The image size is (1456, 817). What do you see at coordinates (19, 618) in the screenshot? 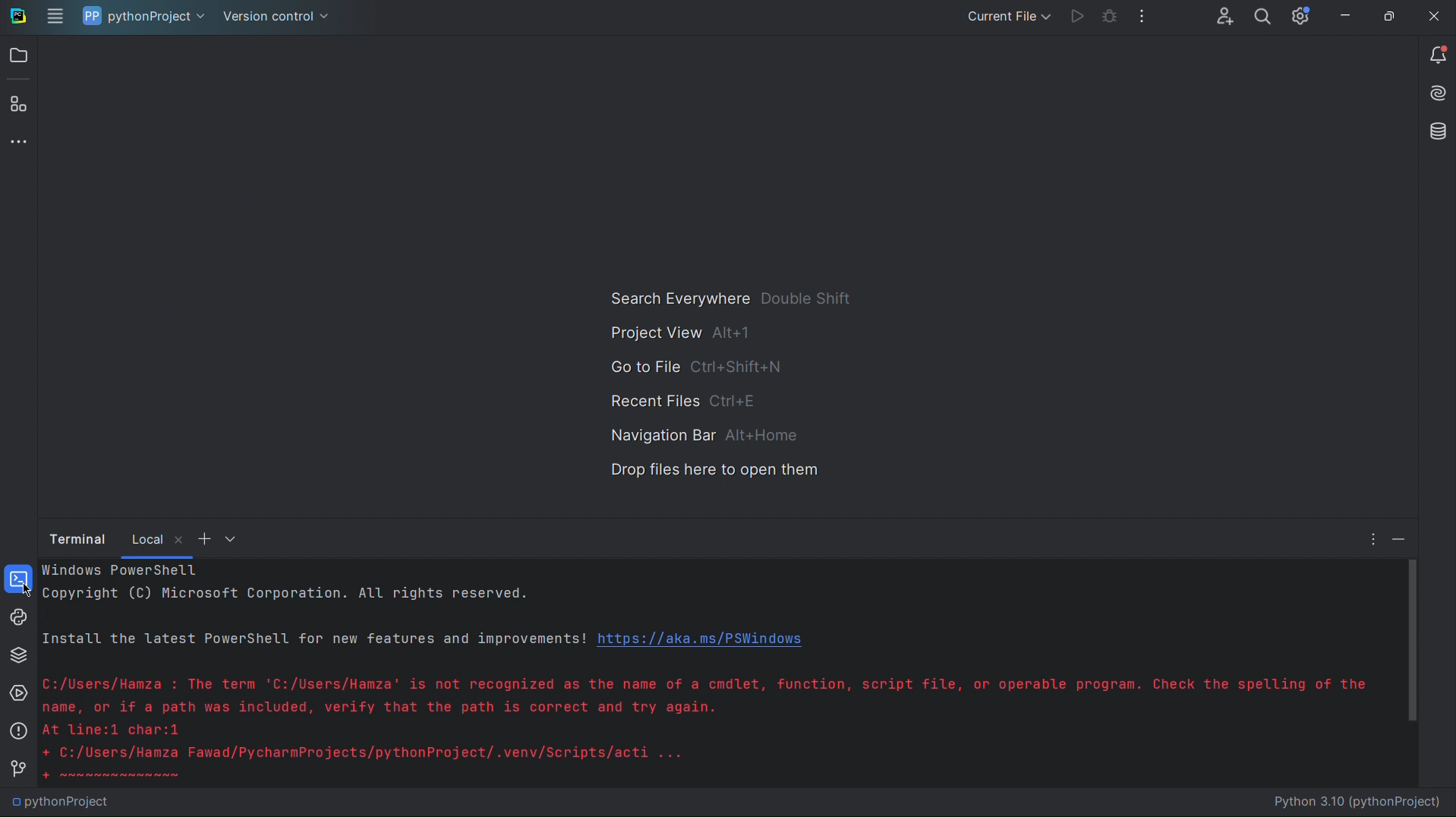
I see `Python Console` at bounding box center [19, 618].